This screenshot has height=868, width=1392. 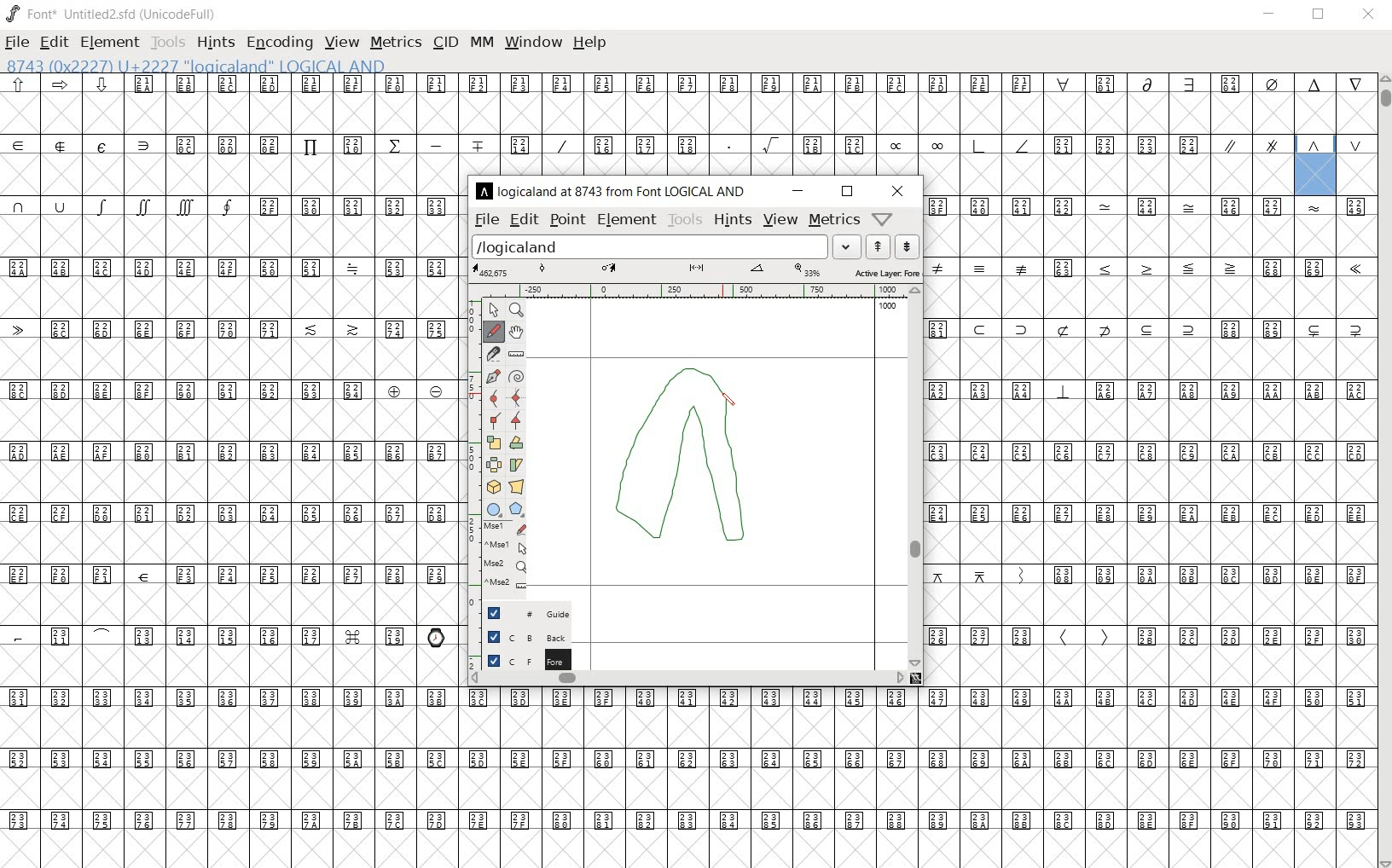 I want to click on Add a corner point, so click(x=493, y=420).